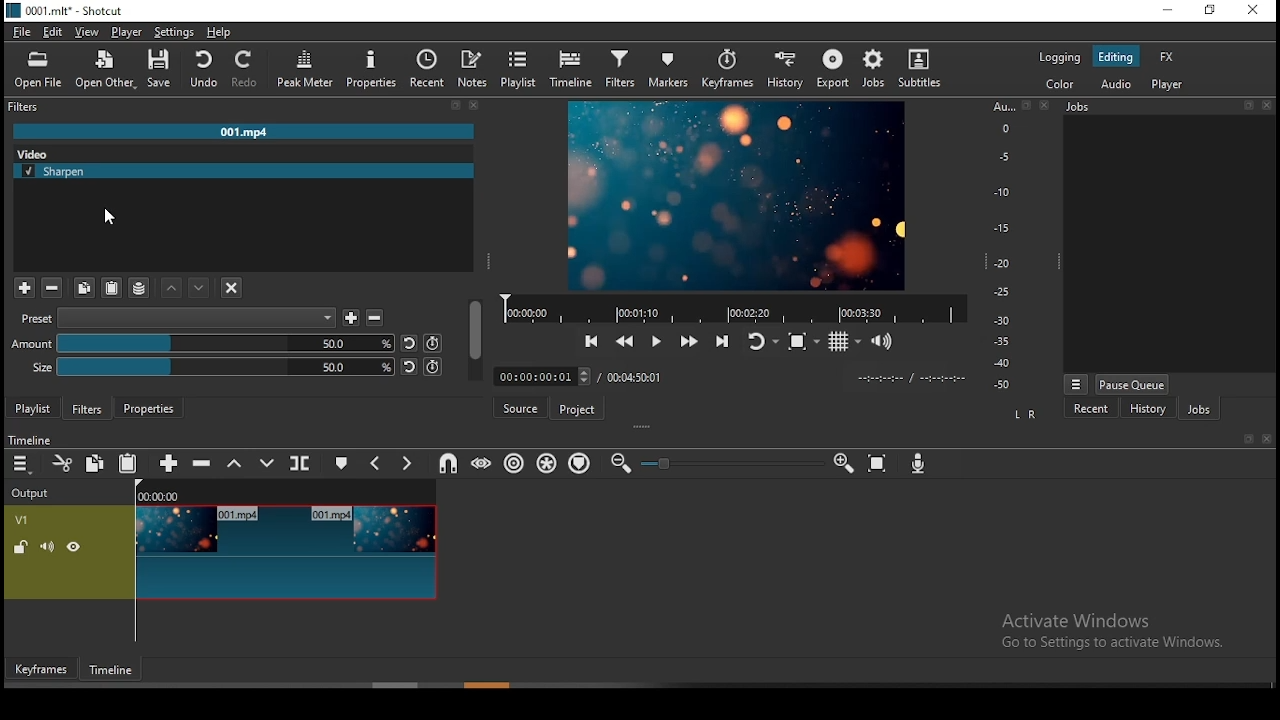 Image resolution: width=1280 pixels, height=720 pixels. What do you see at coordinates (543, 376) in the screenshot?
I see `elapsed time` at bounding box center [543, 376].